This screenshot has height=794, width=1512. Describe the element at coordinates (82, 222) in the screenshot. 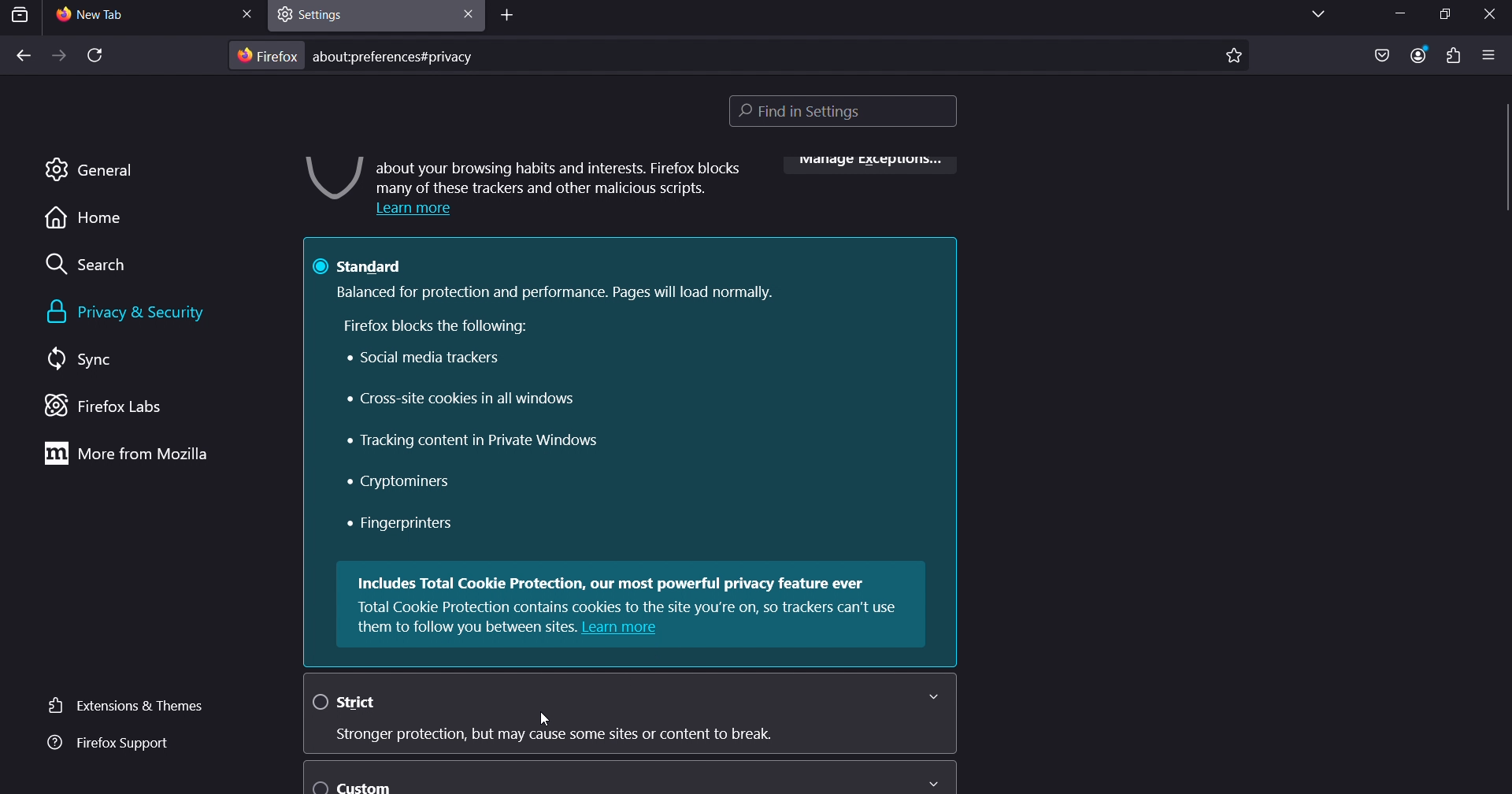

I see `home` at that location.